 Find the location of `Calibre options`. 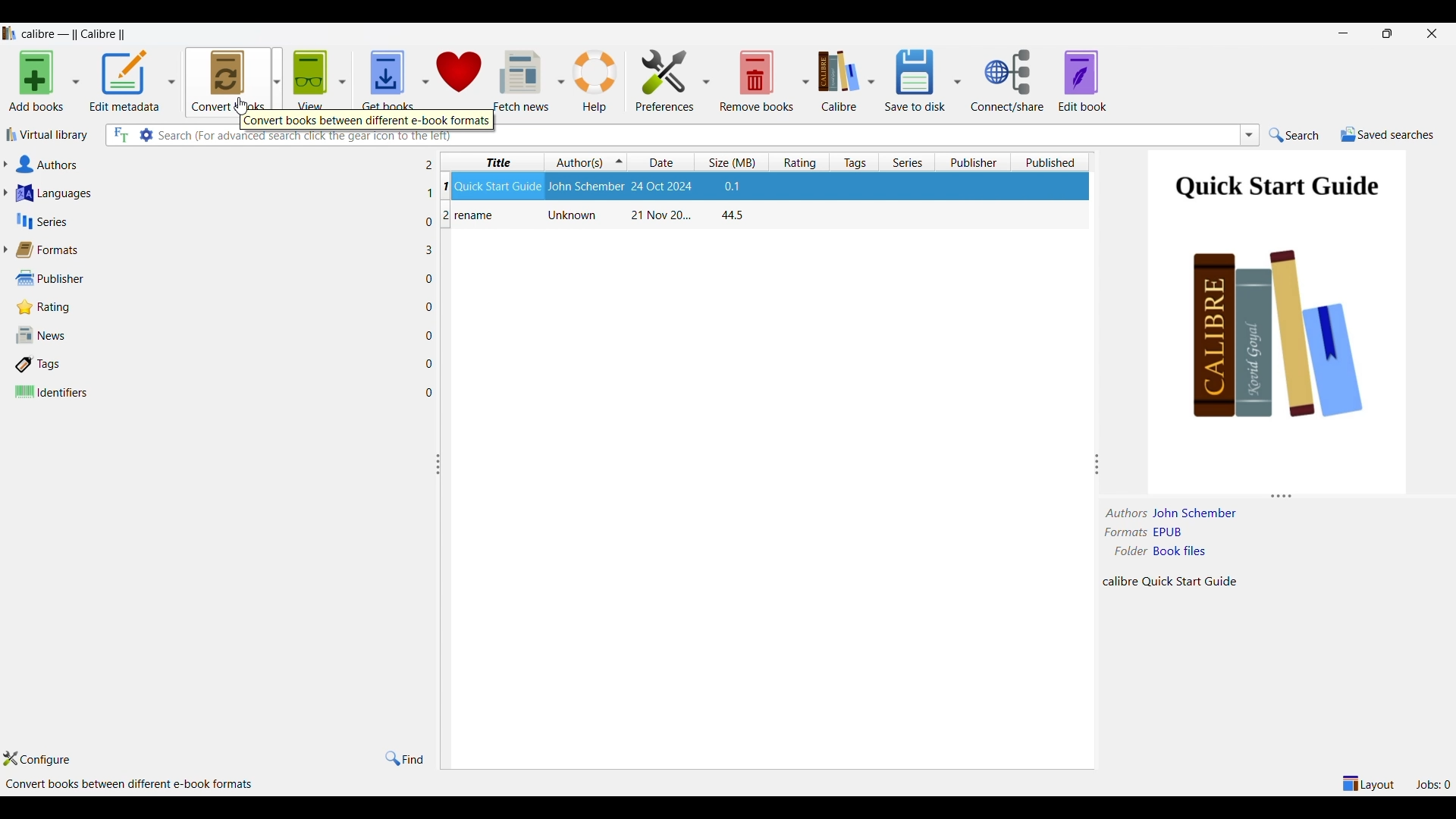

Calibre options is located at coordinates (871, 81).